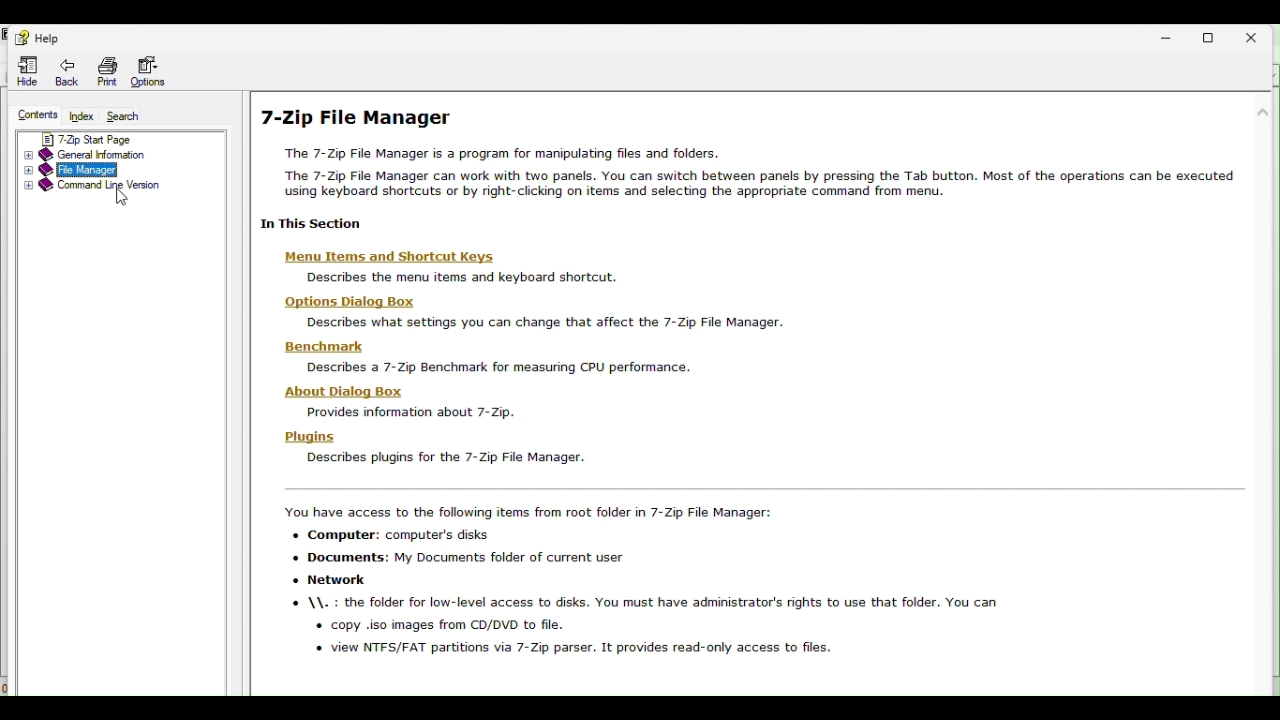 This screenshot has width=1280, height=720. Describe the element at coordinates (25, 156) in the screenshot. I see `expand` at that location.